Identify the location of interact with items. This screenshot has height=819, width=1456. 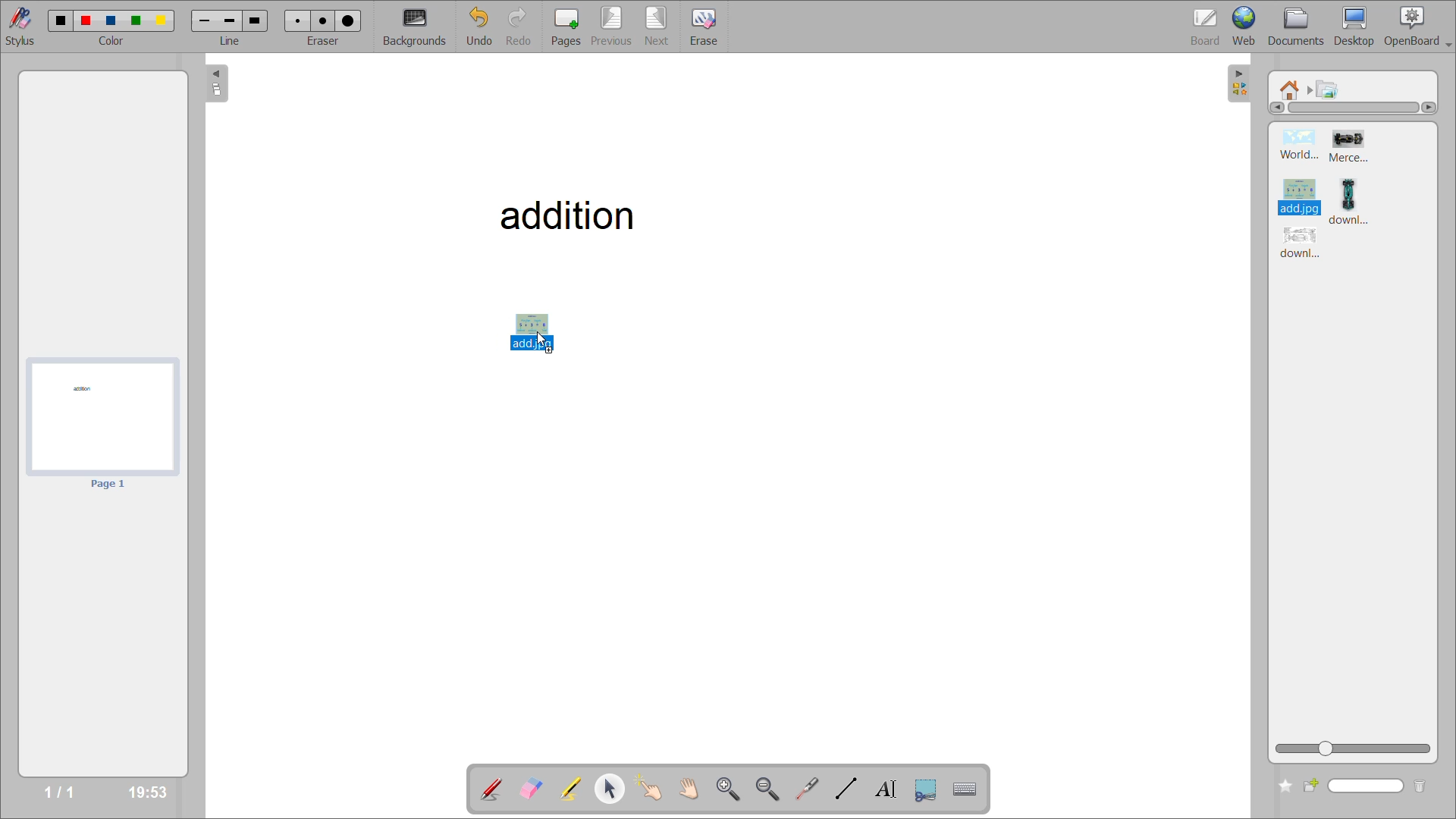
(654, 789).